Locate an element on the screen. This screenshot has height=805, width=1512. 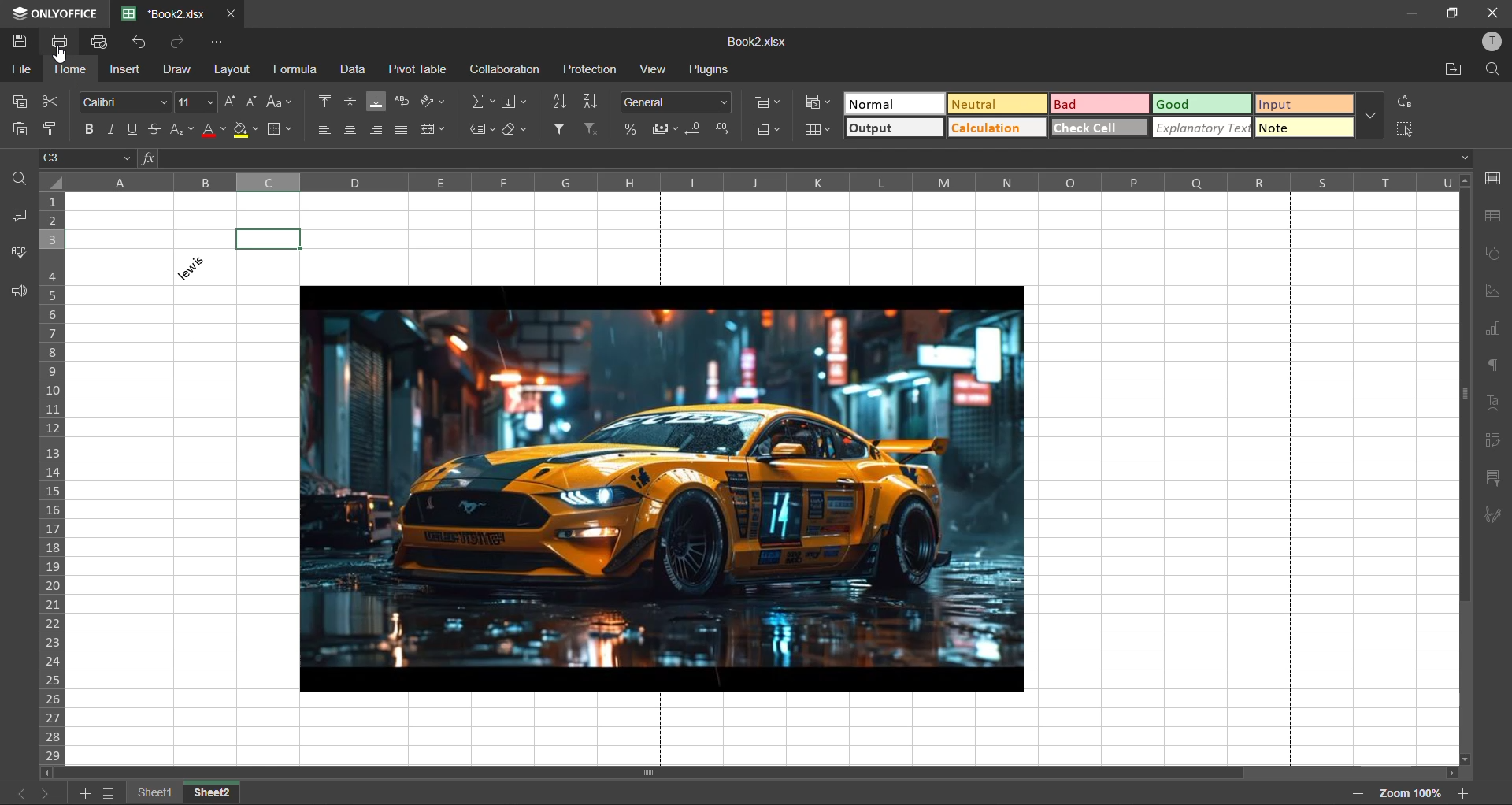
zoom out is located at coordinates (1359, 794).